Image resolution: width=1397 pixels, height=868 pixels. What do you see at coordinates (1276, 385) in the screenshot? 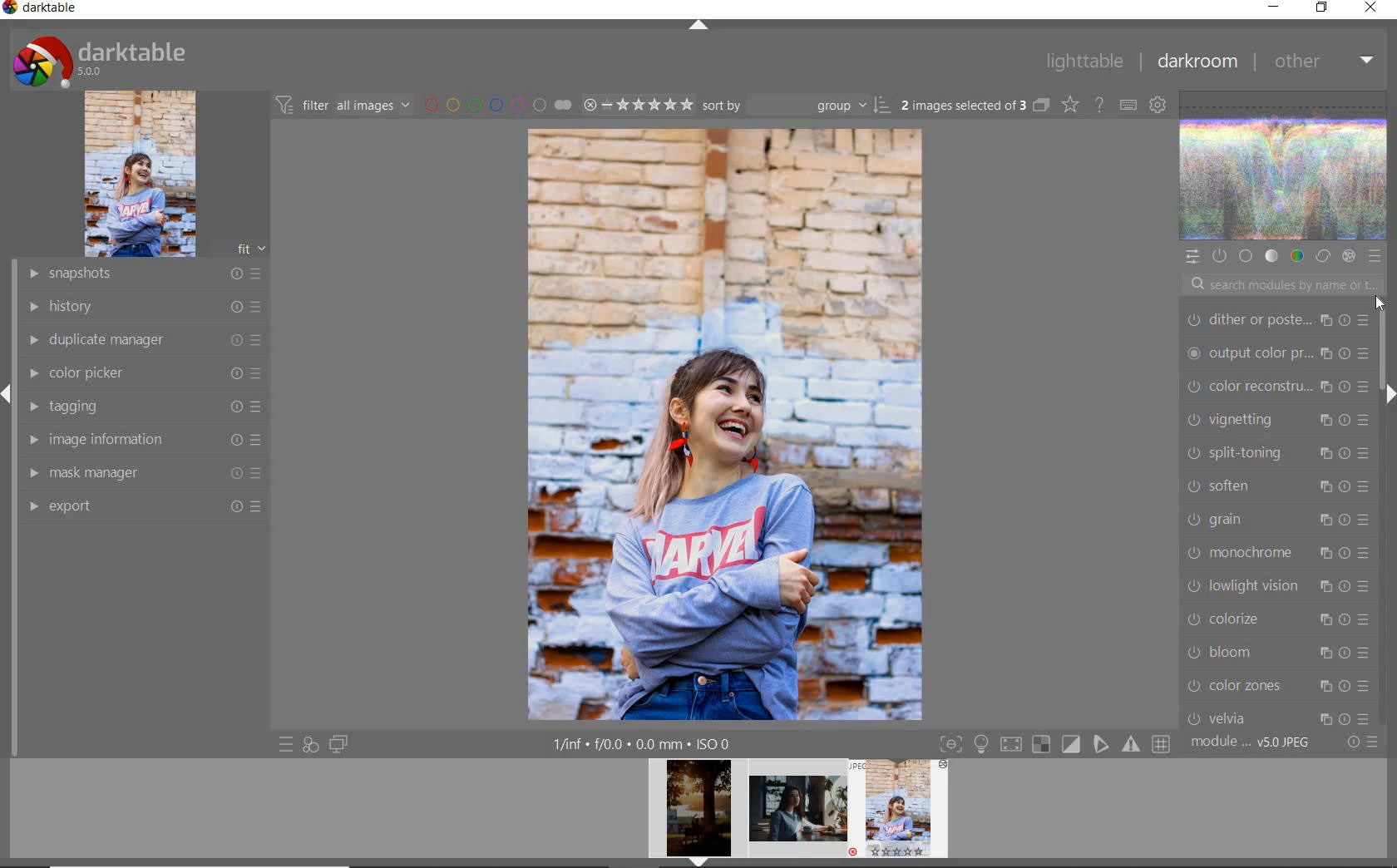
I see `tone equalizer` at bounding box center [1276, 385].